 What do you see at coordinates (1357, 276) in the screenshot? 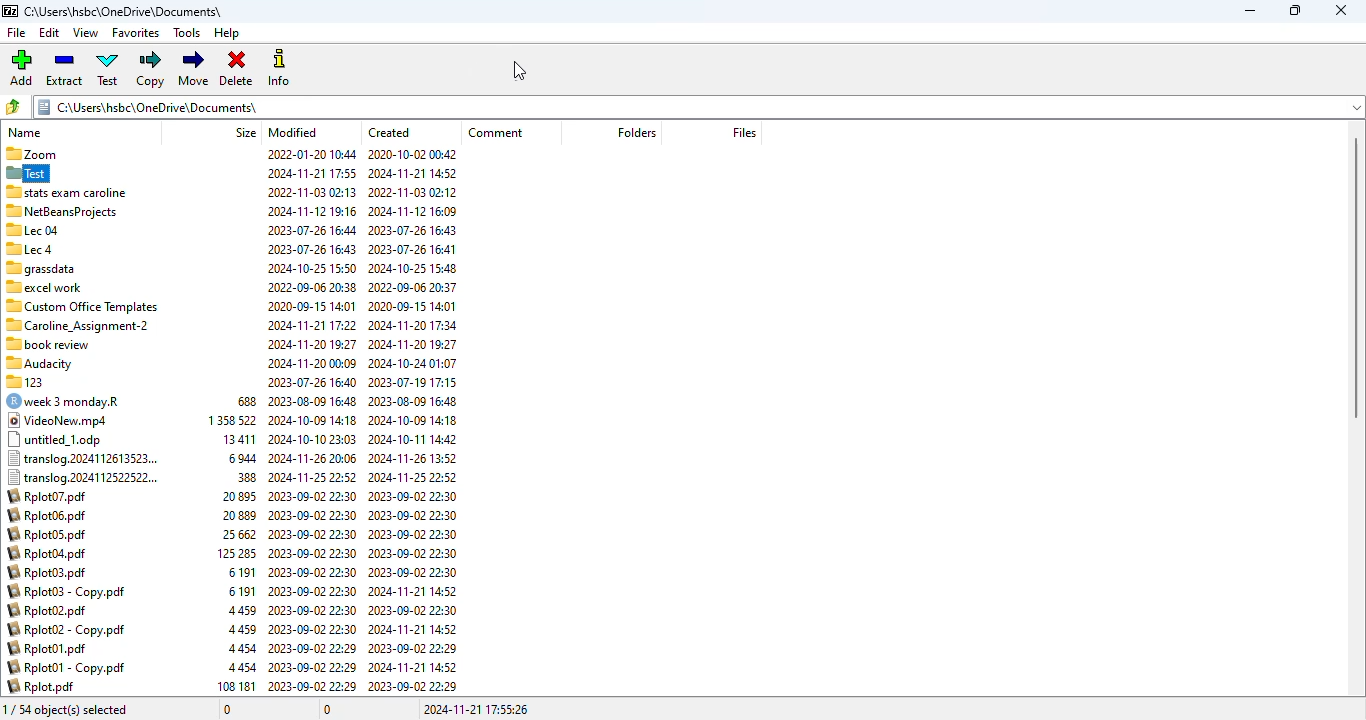
I see `vertical scroll bar` at bounding box center [1357, 276].